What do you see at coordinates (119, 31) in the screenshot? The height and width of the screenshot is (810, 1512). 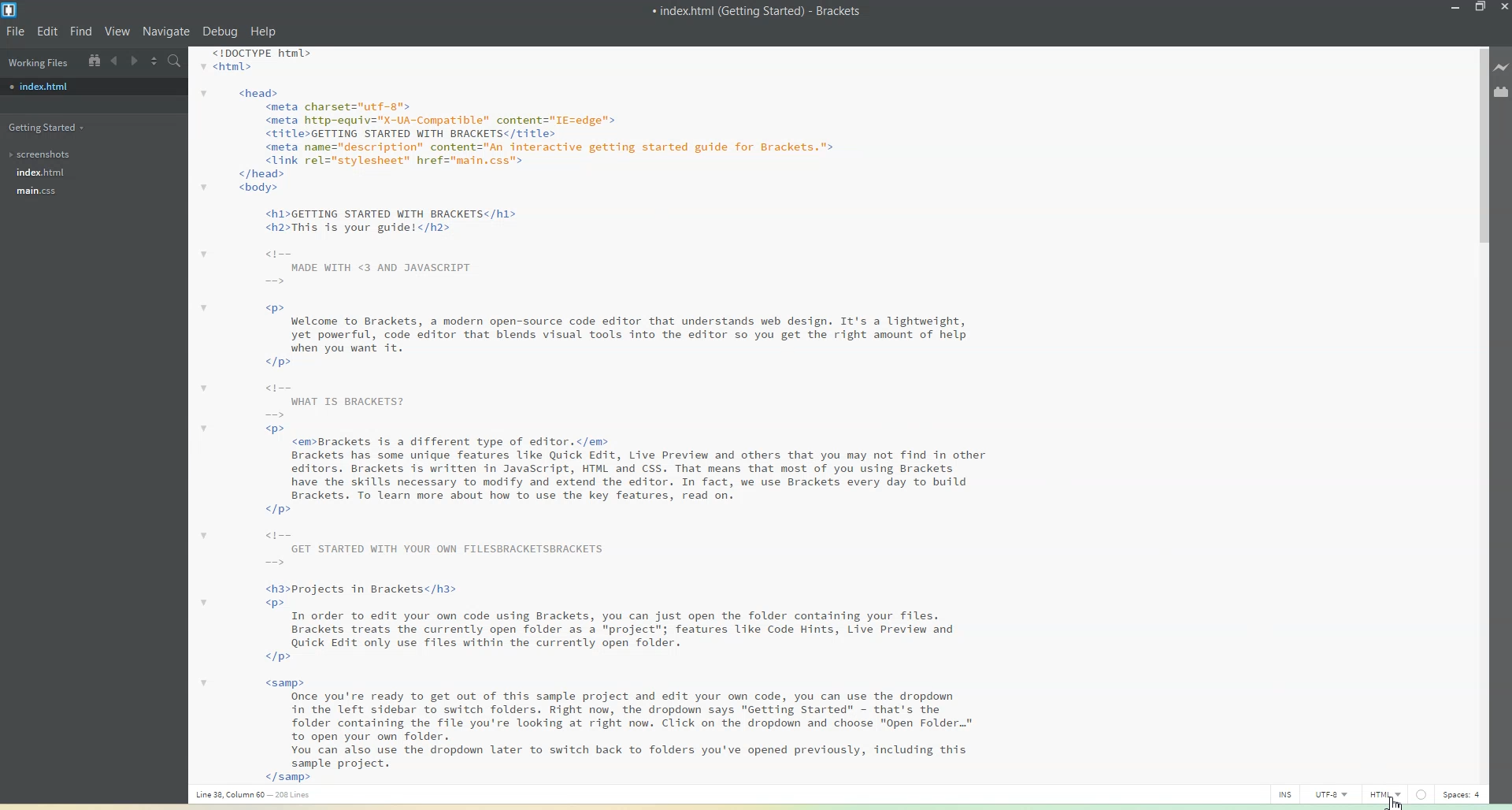 I see `View` at bounding box center [119, 31].